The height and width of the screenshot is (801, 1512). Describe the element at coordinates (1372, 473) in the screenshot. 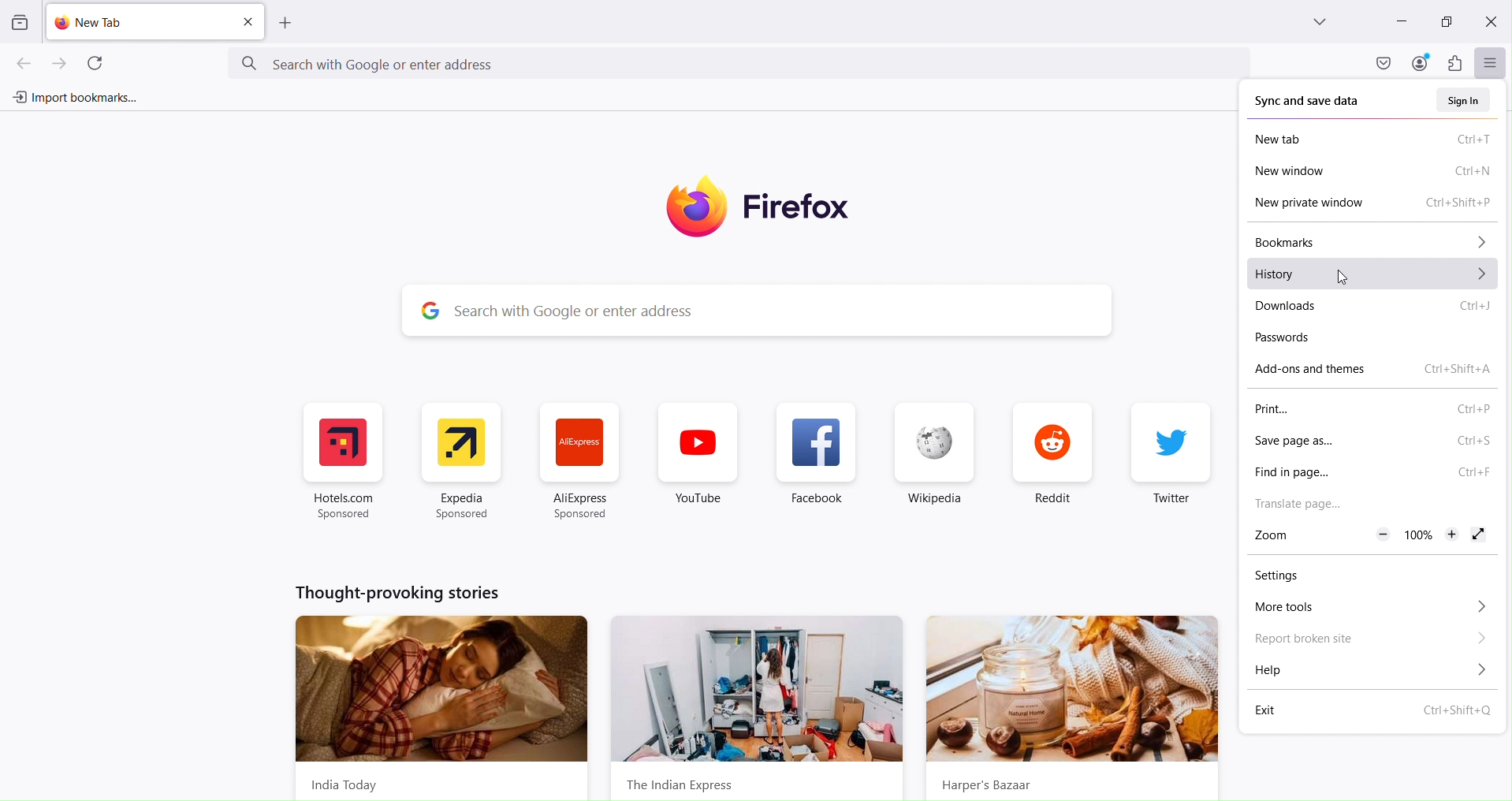

I see `Find in page` at that location.